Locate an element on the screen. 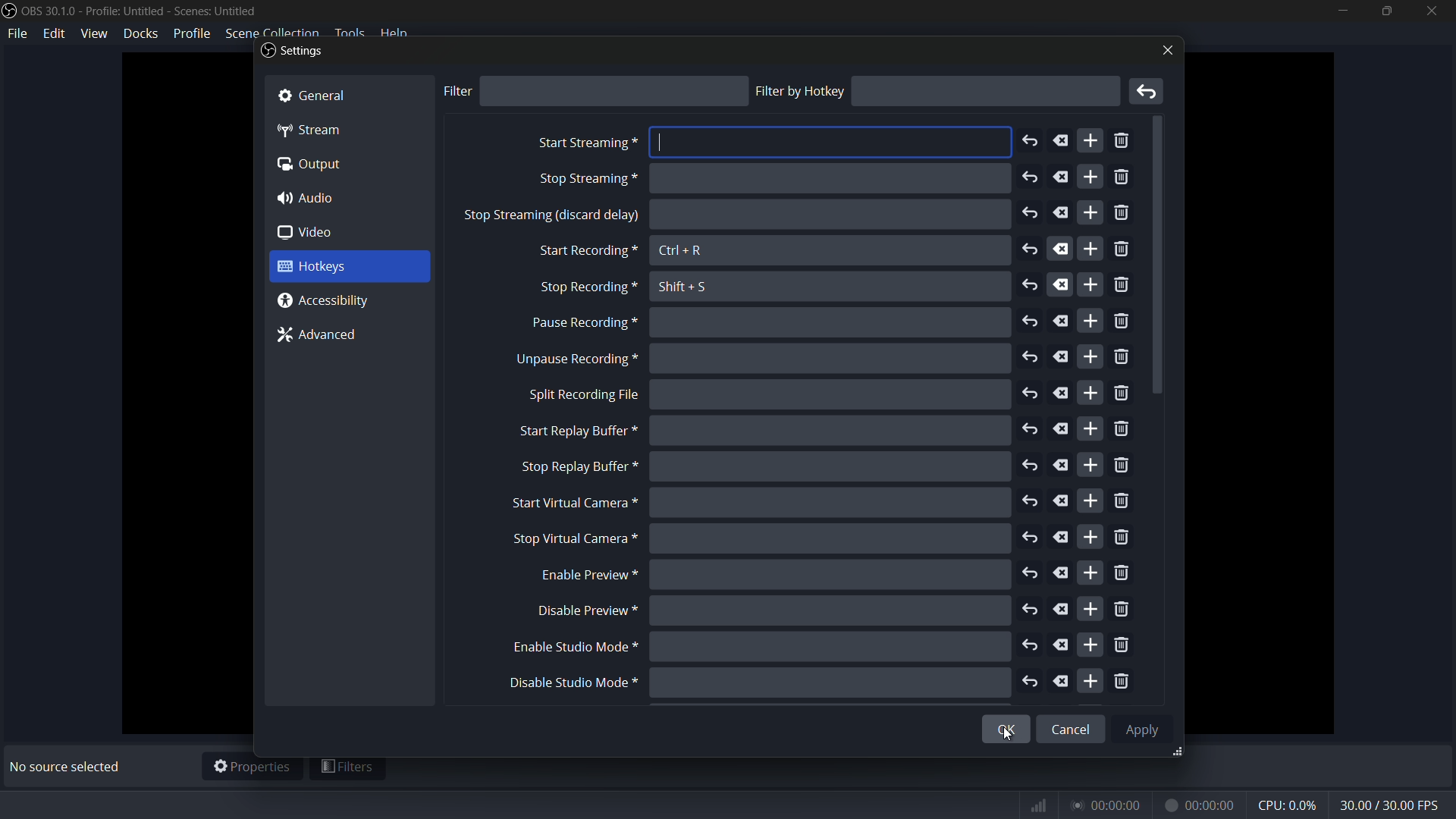  stop recording is located at coordinates (586, 288).